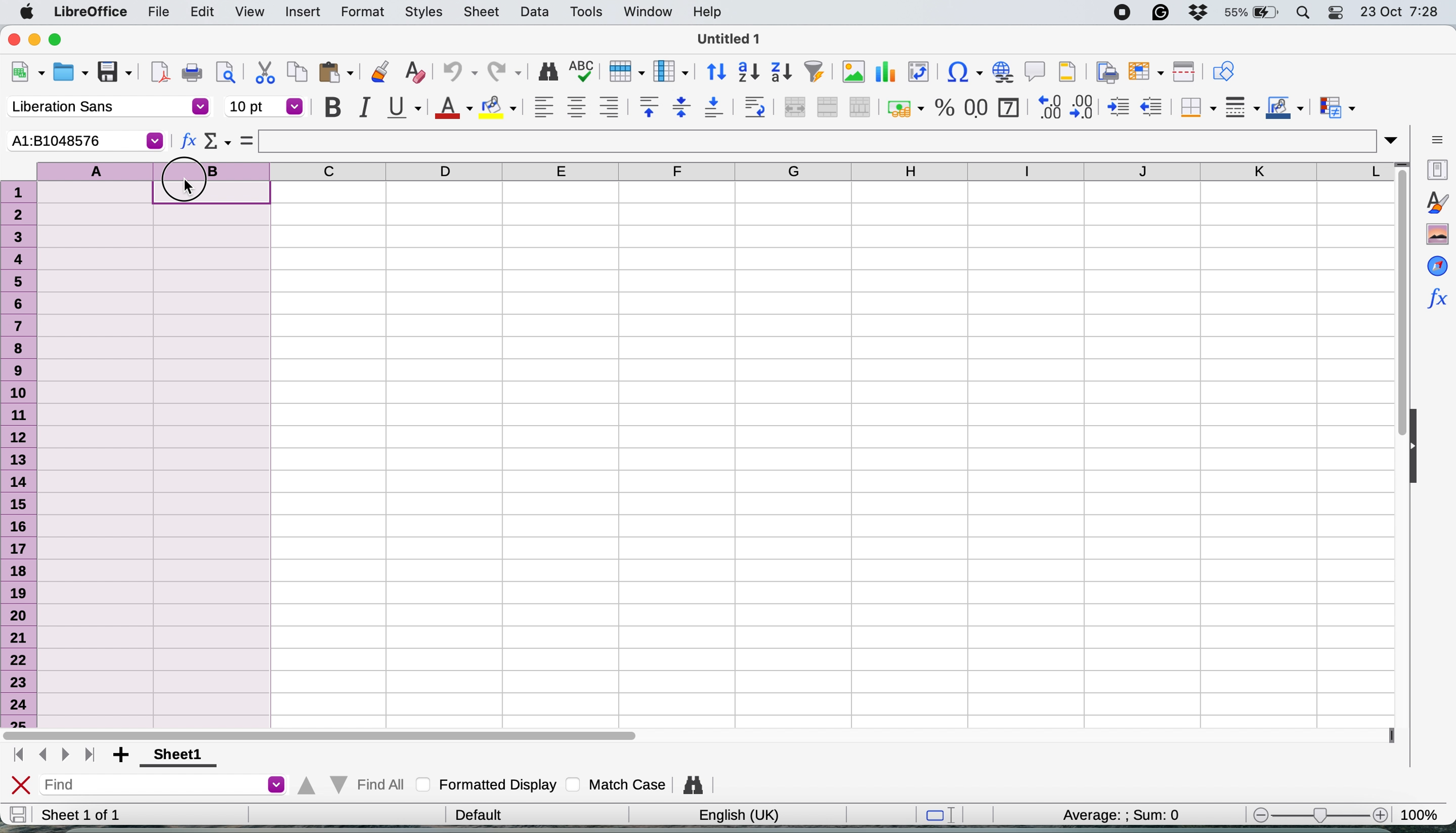 The height and width of the screenshot is (833, 1456). I want to click on rows, so click(19, 450).